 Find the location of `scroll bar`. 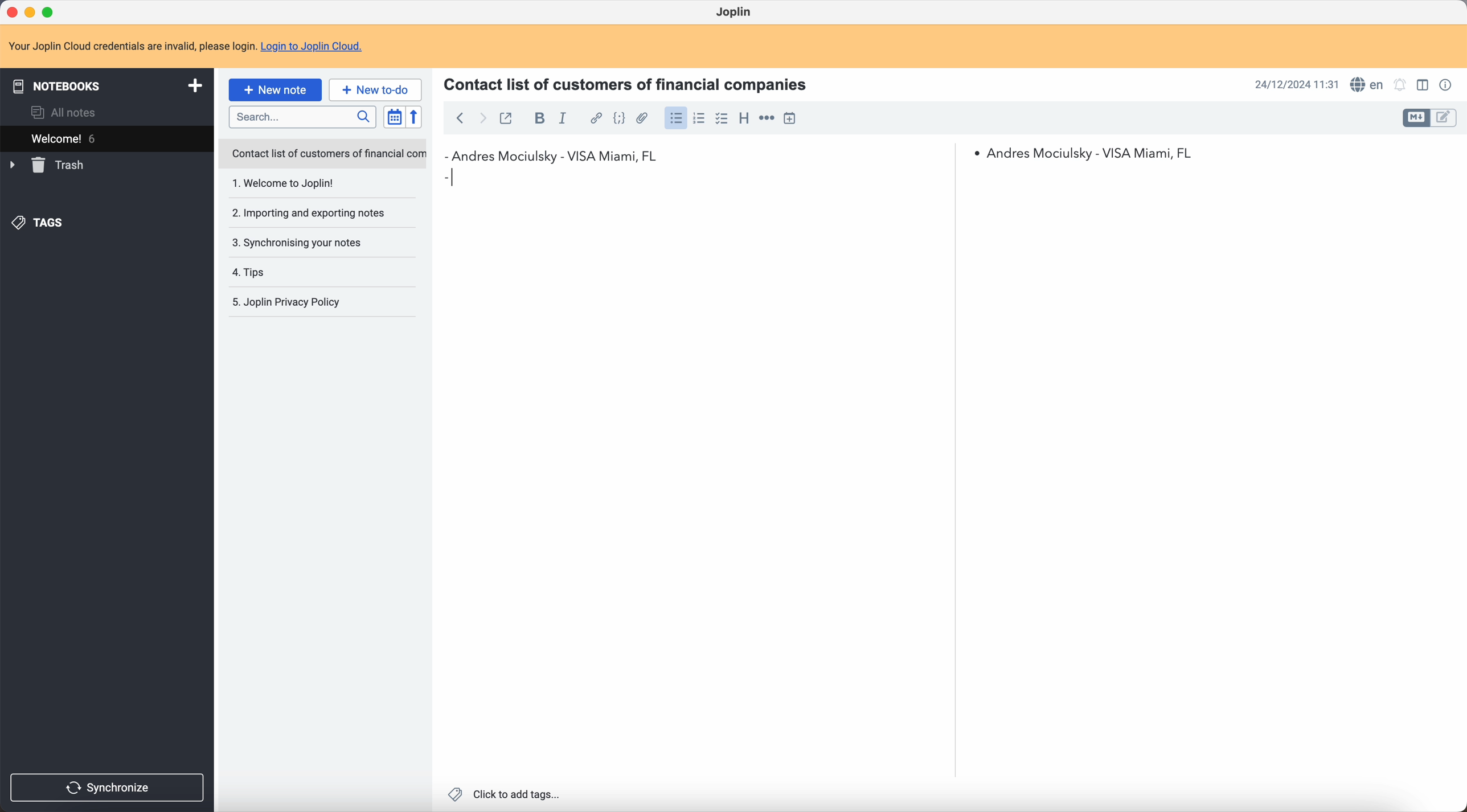

scroll bar is located at coordinates (1458, 255).